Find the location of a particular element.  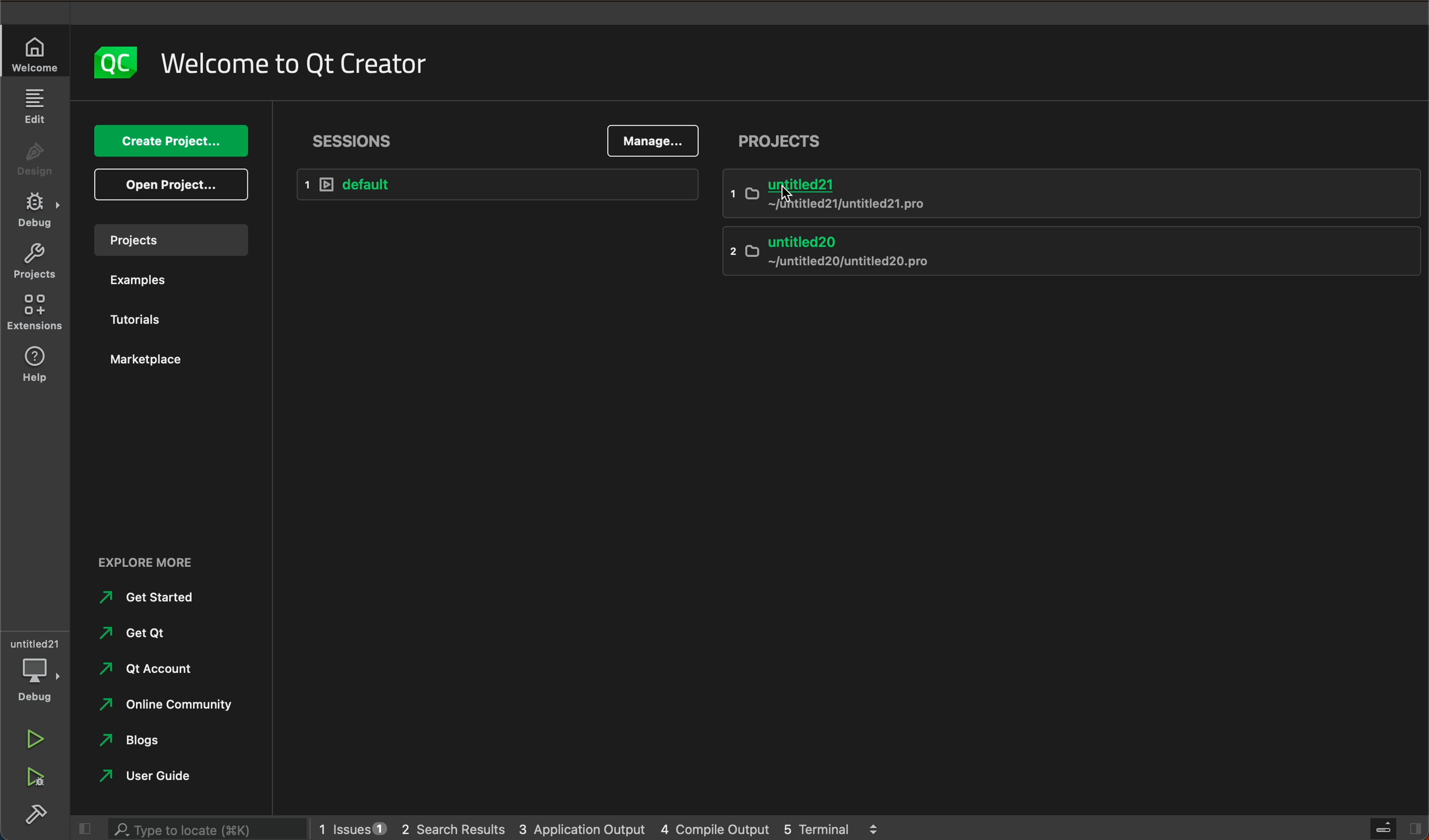

welcome is located at coordinates (294, 64).